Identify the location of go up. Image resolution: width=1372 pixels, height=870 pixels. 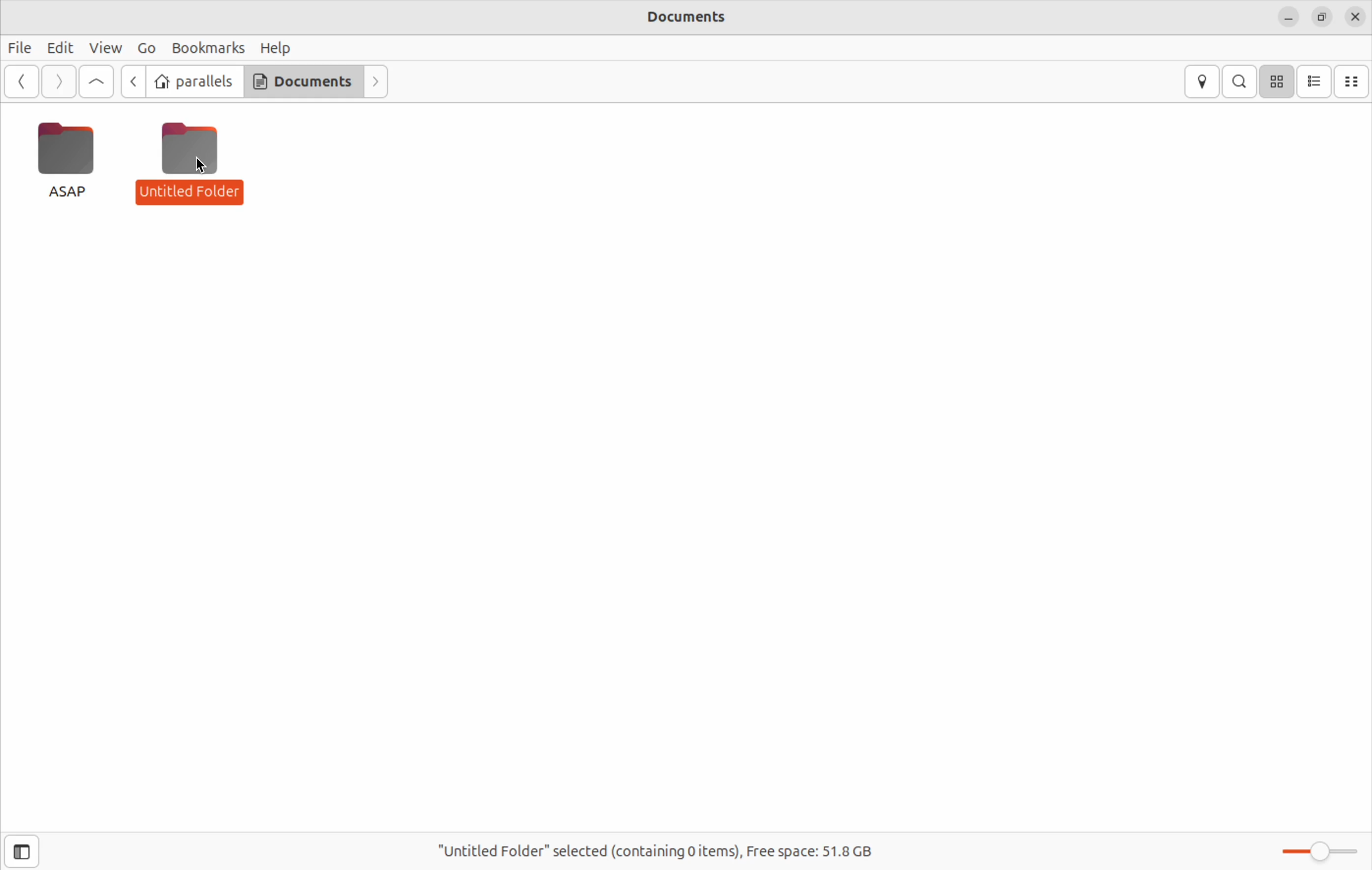
(96, 83).